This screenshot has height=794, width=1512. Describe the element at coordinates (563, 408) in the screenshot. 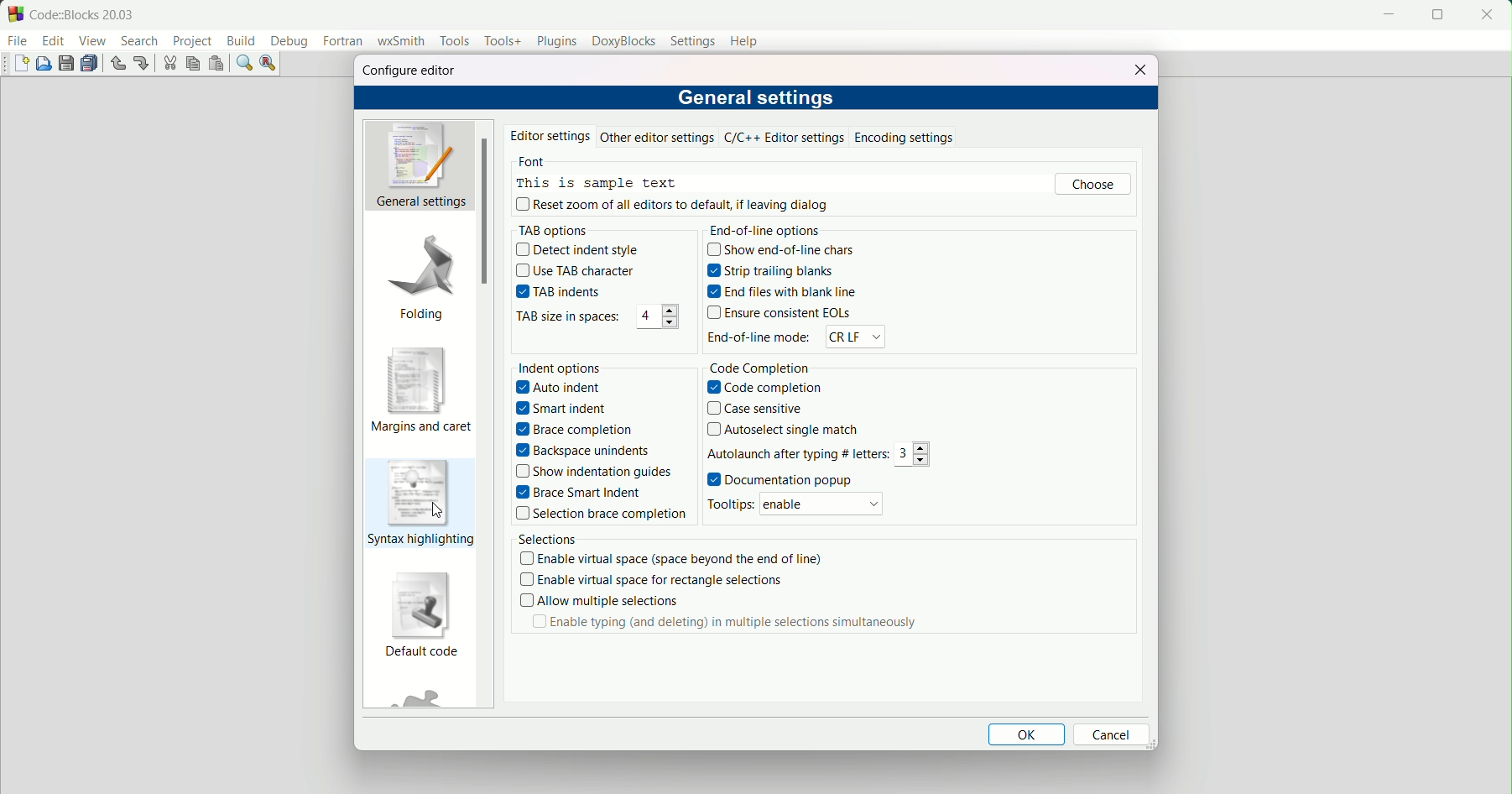

I see `smart indent` at that location.